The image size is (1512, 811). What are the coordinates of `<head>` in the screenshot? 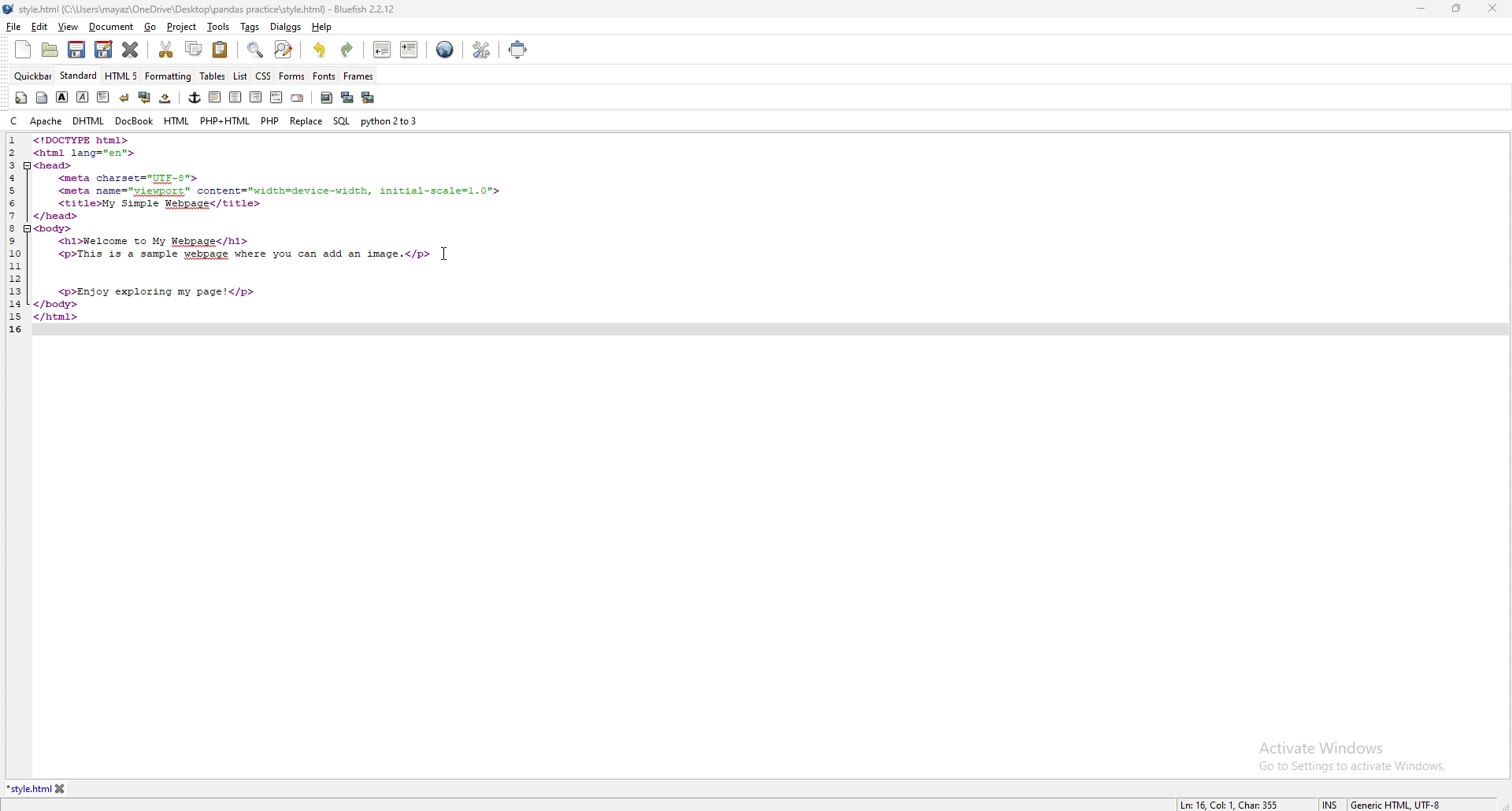 It's located at (54, 165).